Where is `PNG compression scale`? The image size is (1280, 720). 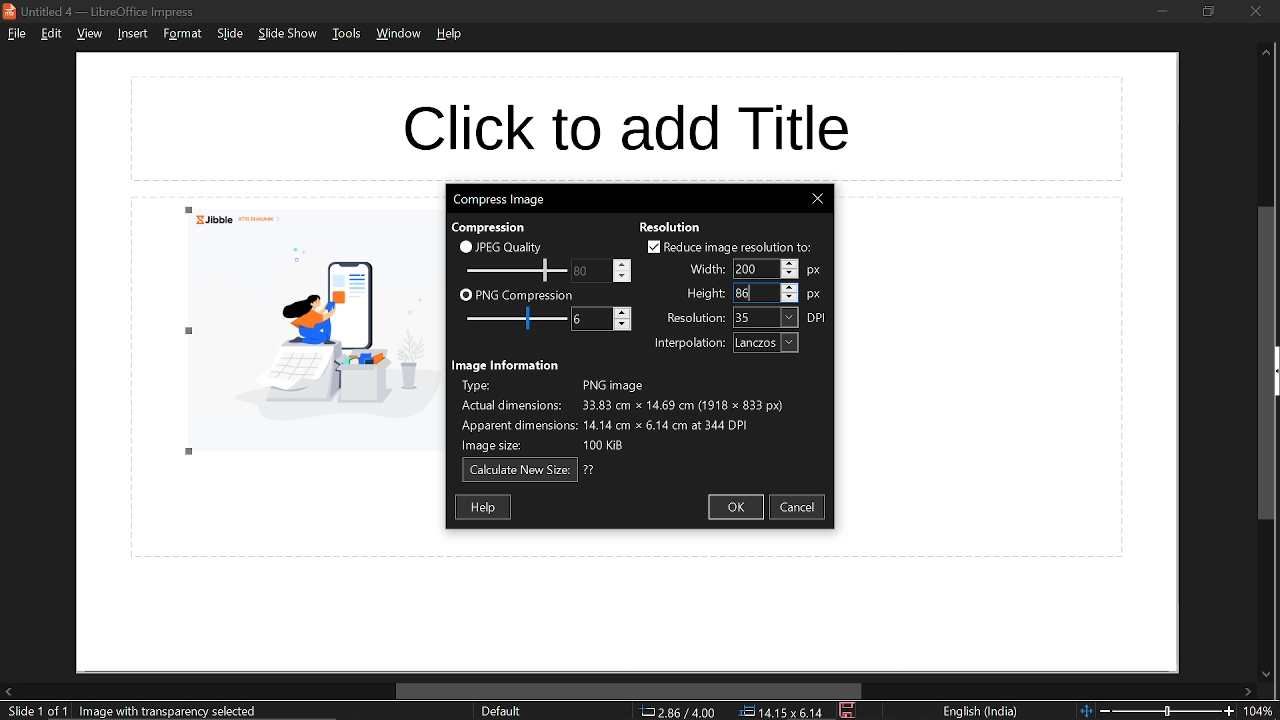
PNG compression scale is located at coordinates (589, 271).